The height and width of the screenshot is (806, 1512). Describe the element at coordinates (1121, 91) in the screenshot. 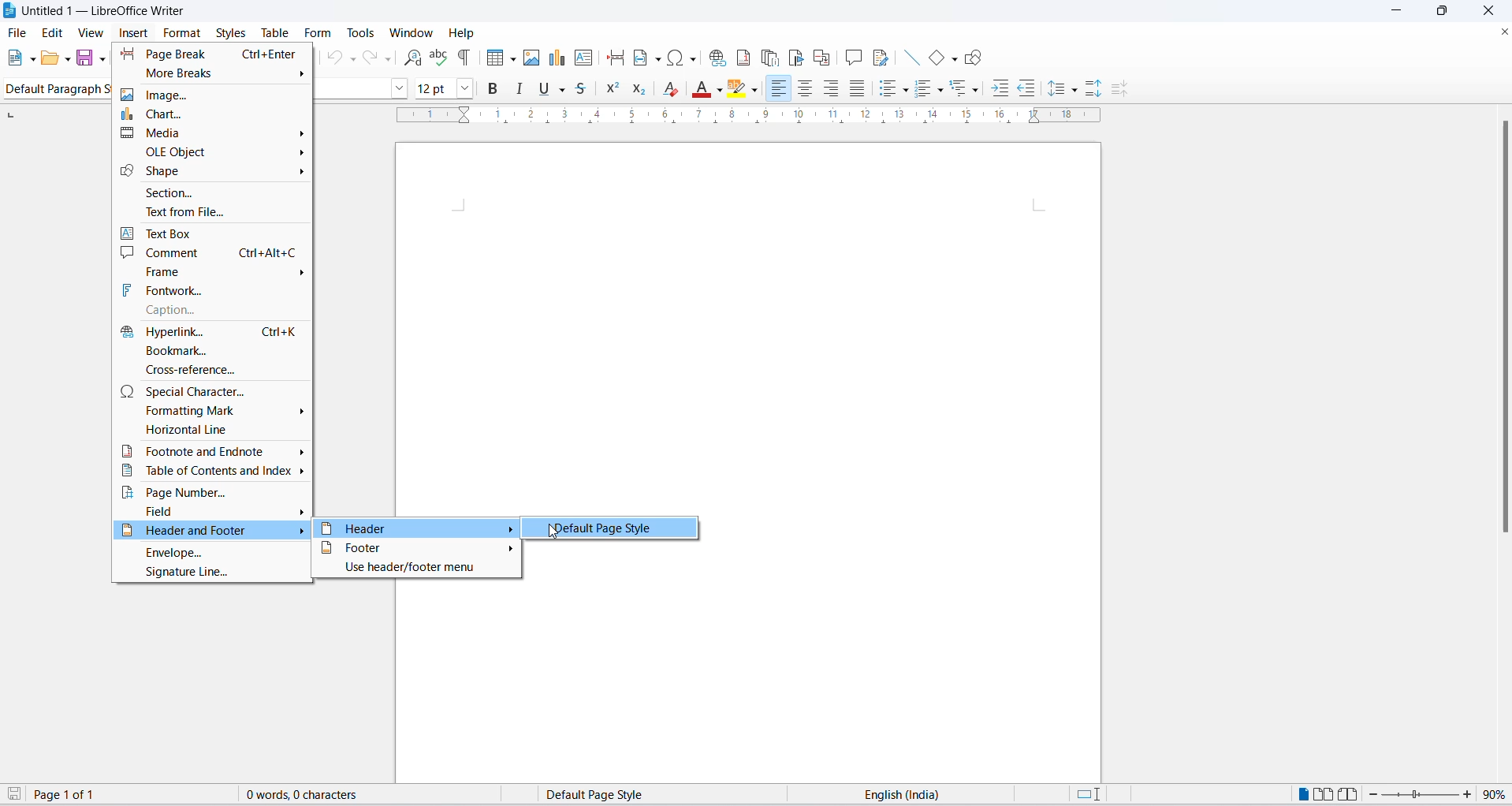

I see `decrease paragraph spacing` at that location.